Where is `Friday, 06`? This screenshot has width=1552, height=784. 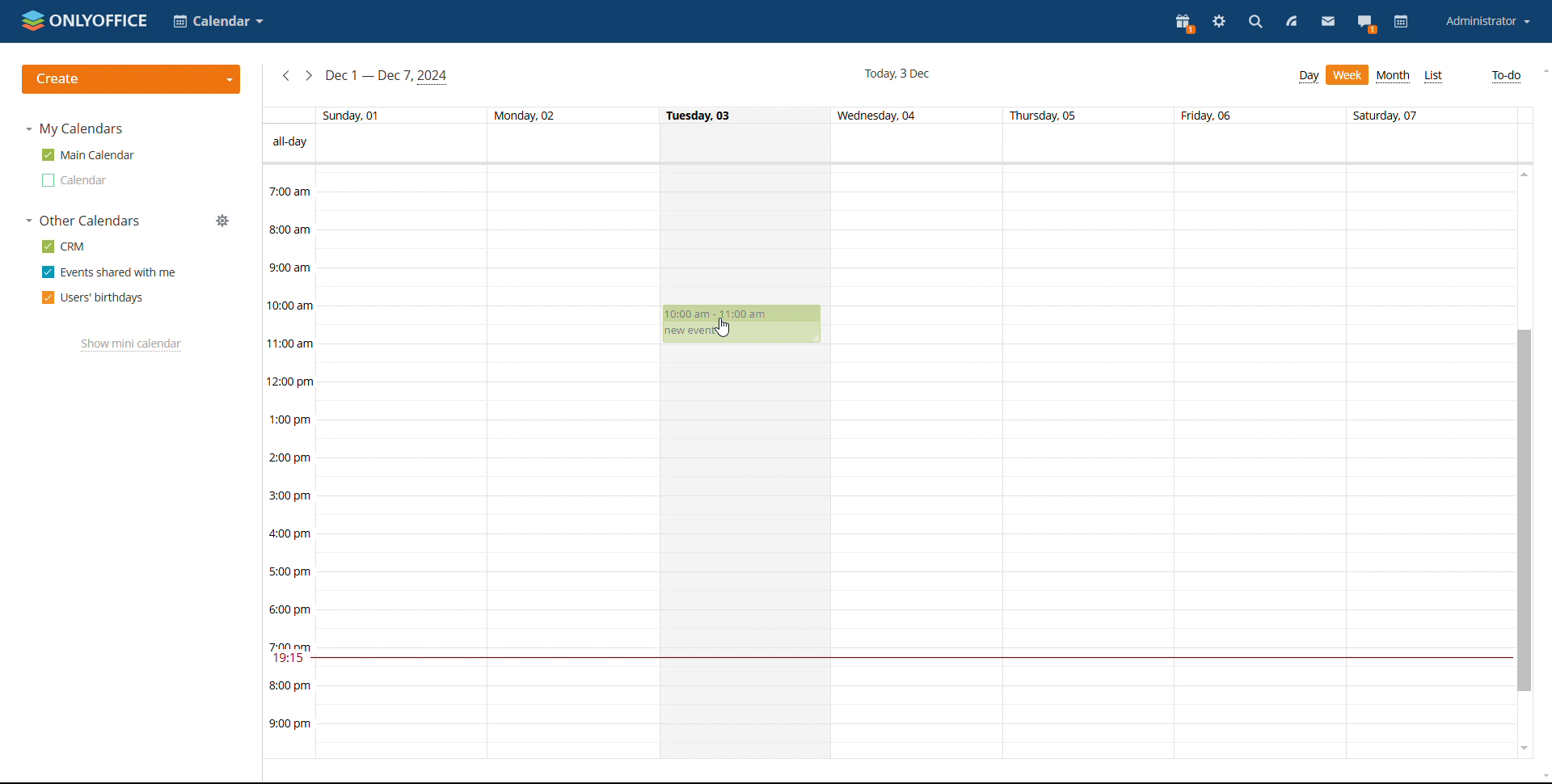
Friday, 06 is located at coordinates (1209, 115).